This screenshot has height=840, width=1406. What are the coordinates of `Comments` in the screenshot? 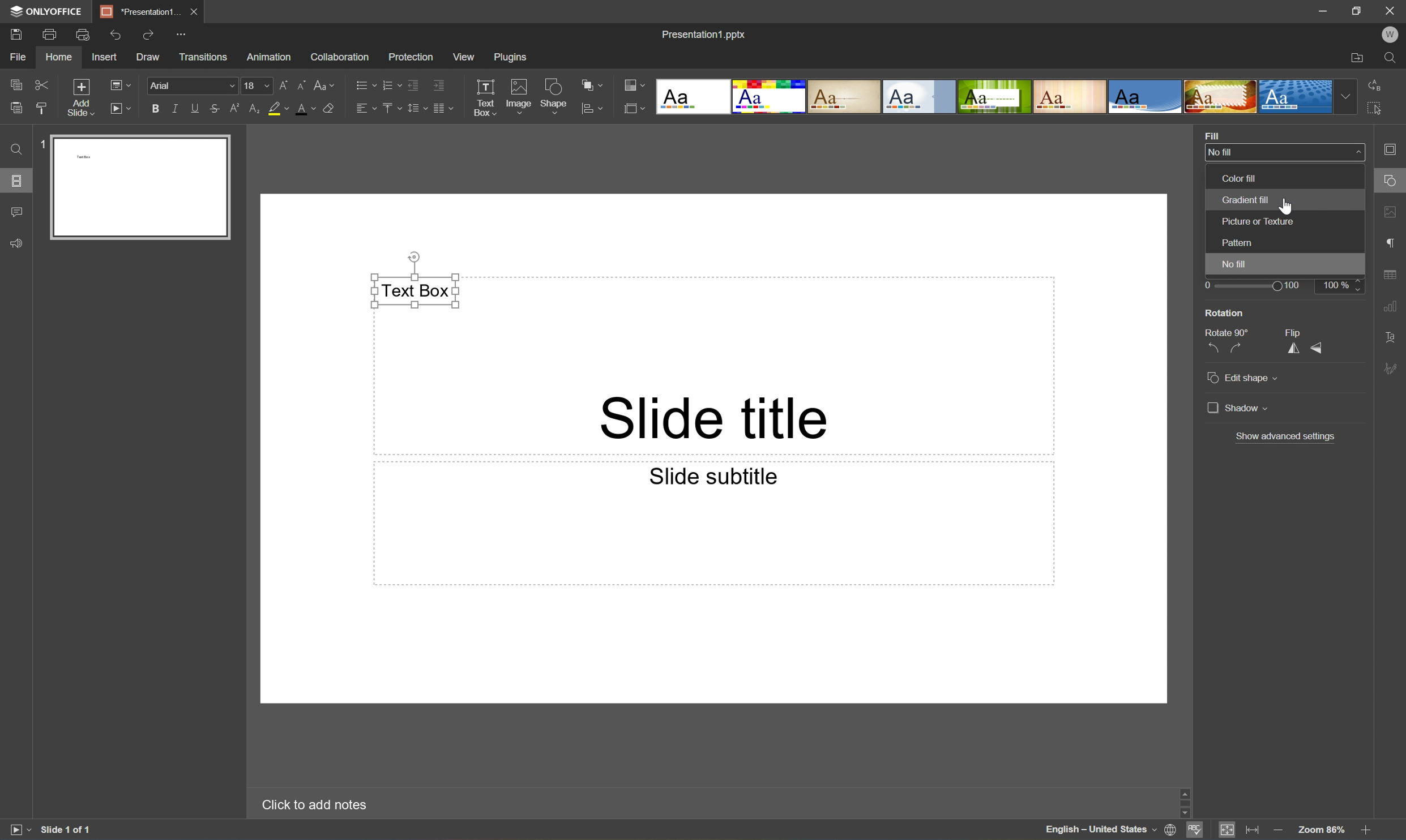 It's located at (18, 211).